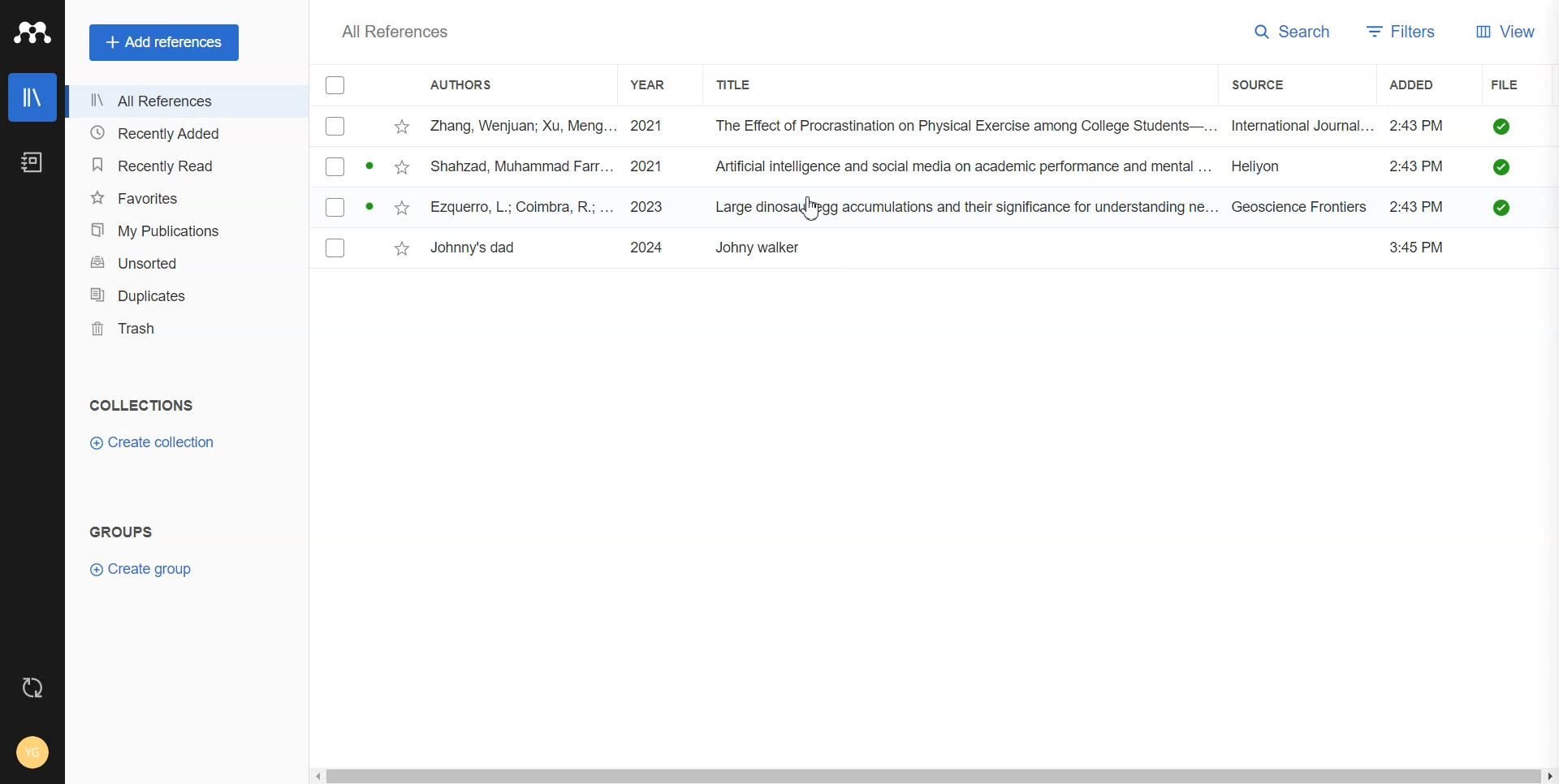  Describe the element at coordinates (1502, 168) in the screenshot. I see `check` at that location.